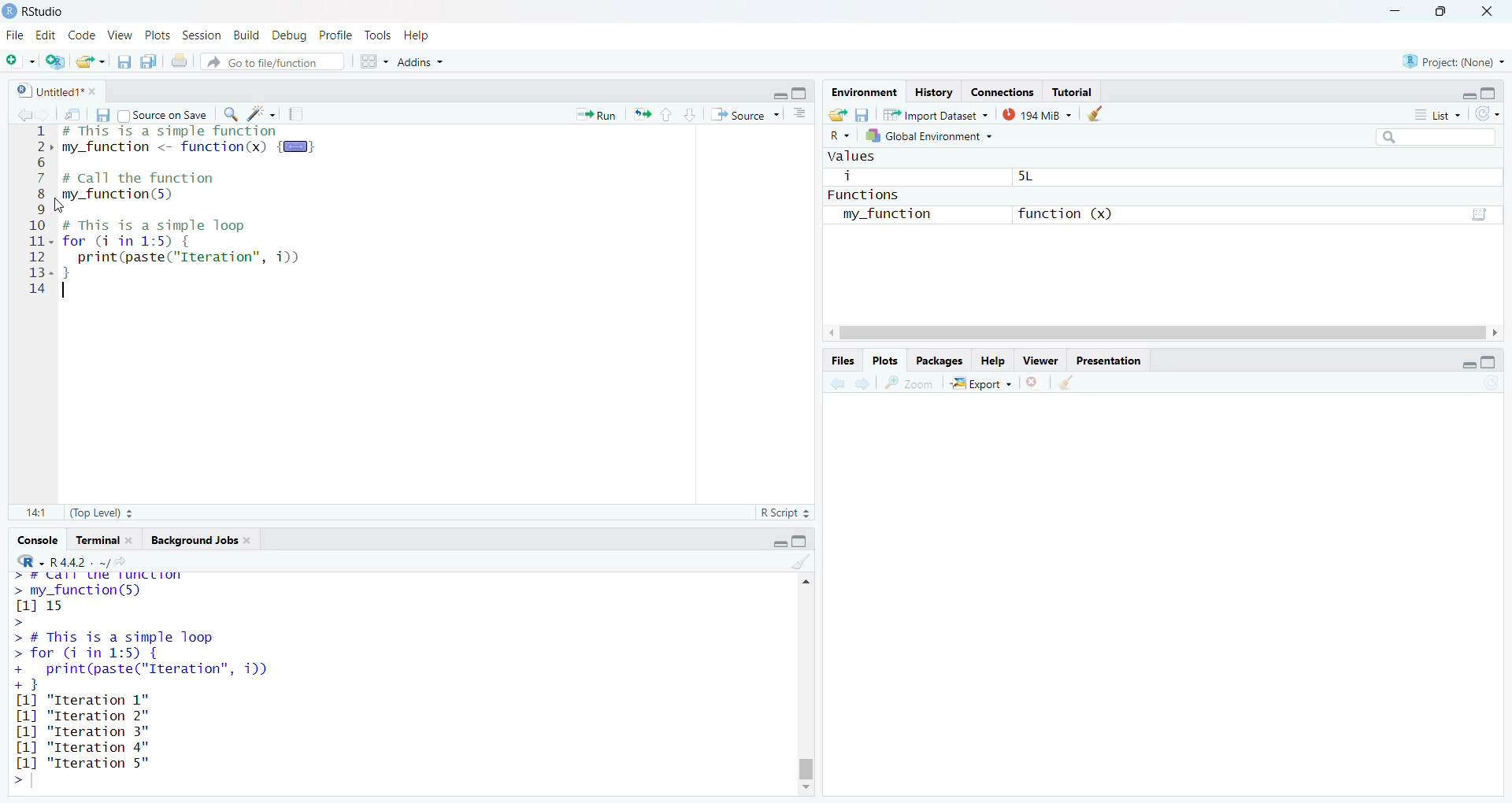 The image size is (1512, 803). What do you see at coordinates (1464, 92) in the screenshot?
I see `minimize` at bounding box center [1464, 92].